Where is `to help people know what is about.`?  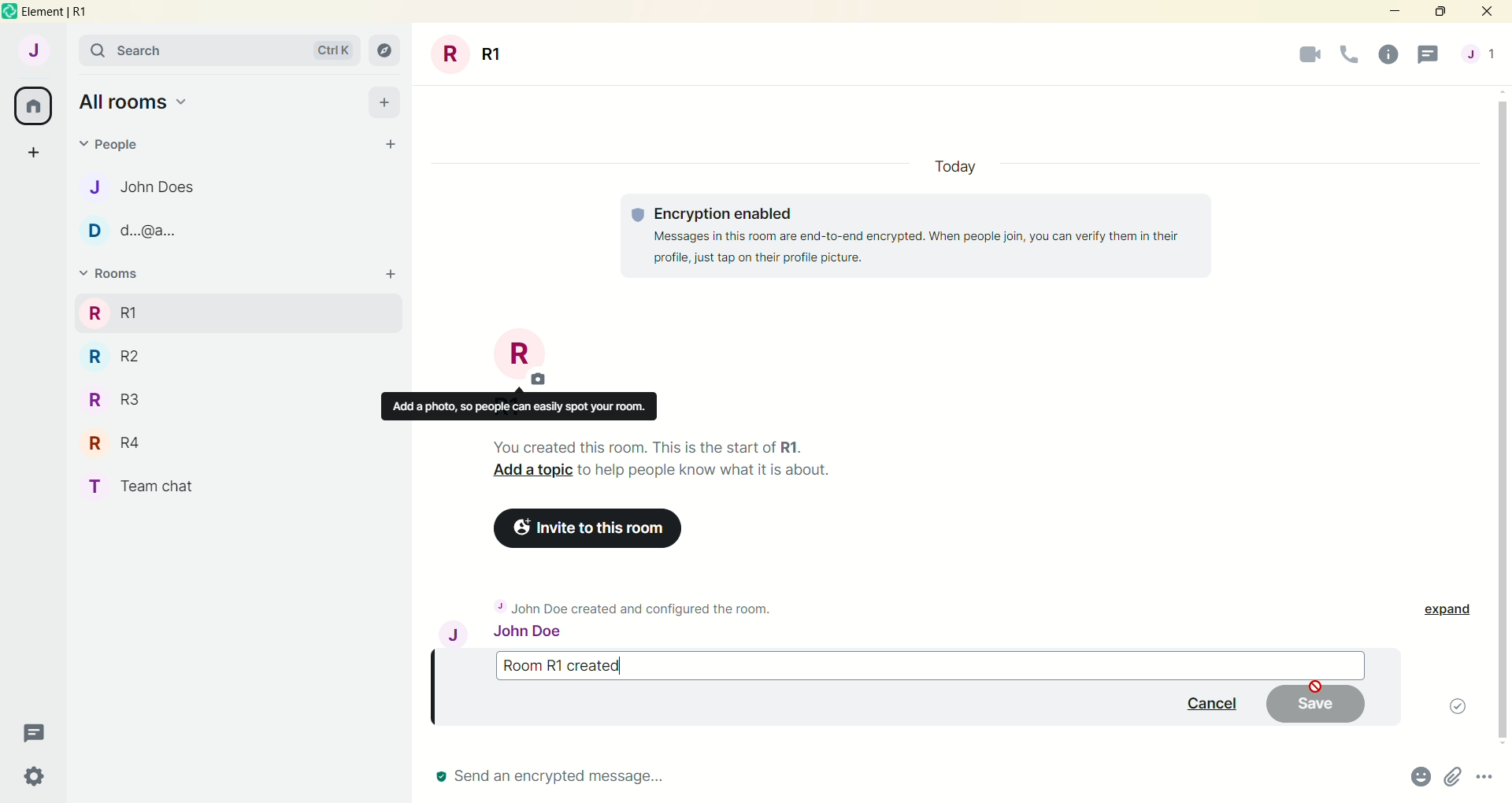
to help people know what is about. is located at coordinates (707, 471).